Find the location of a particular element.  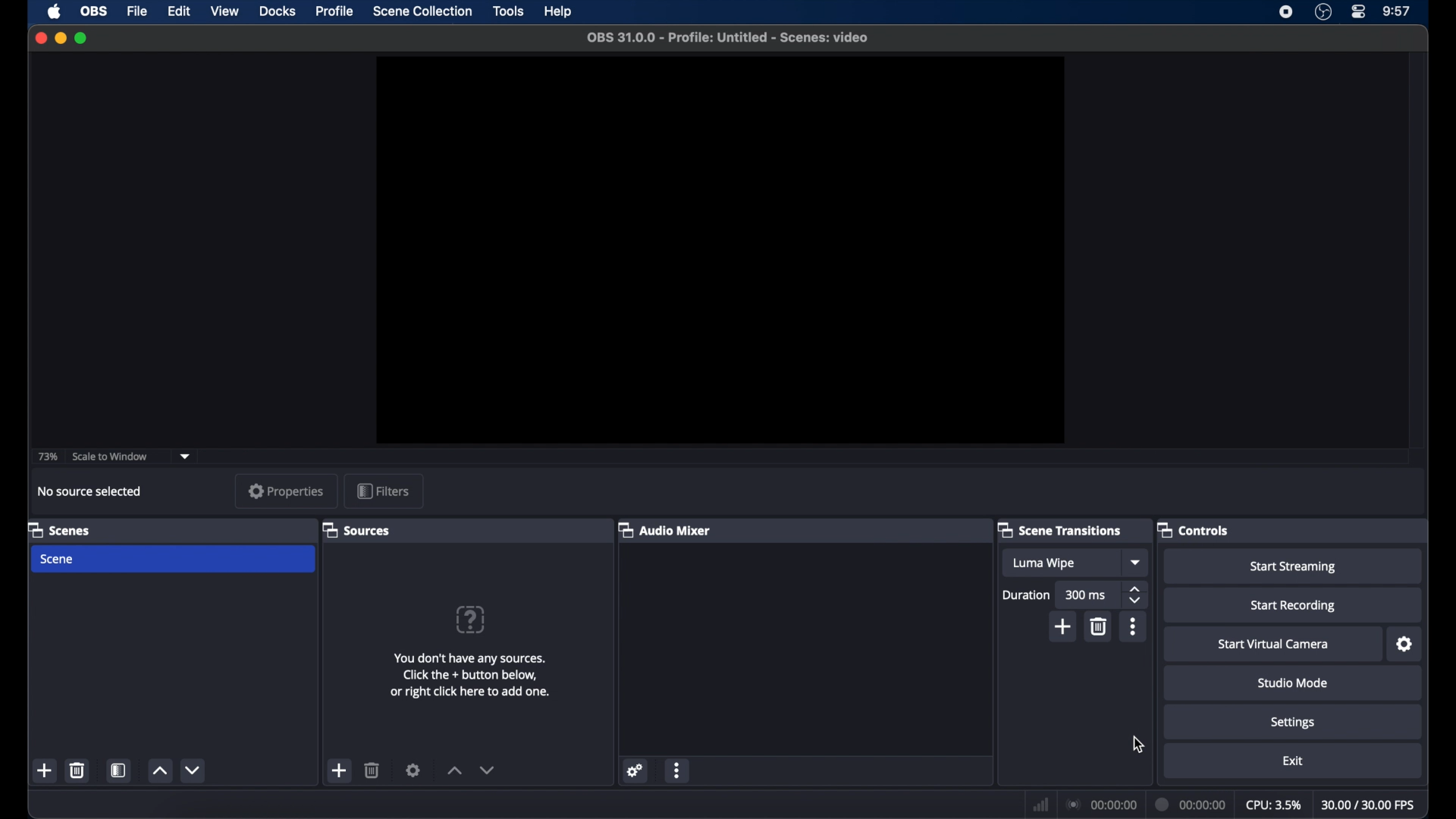

scale to window is located at coordinates (109, 457).